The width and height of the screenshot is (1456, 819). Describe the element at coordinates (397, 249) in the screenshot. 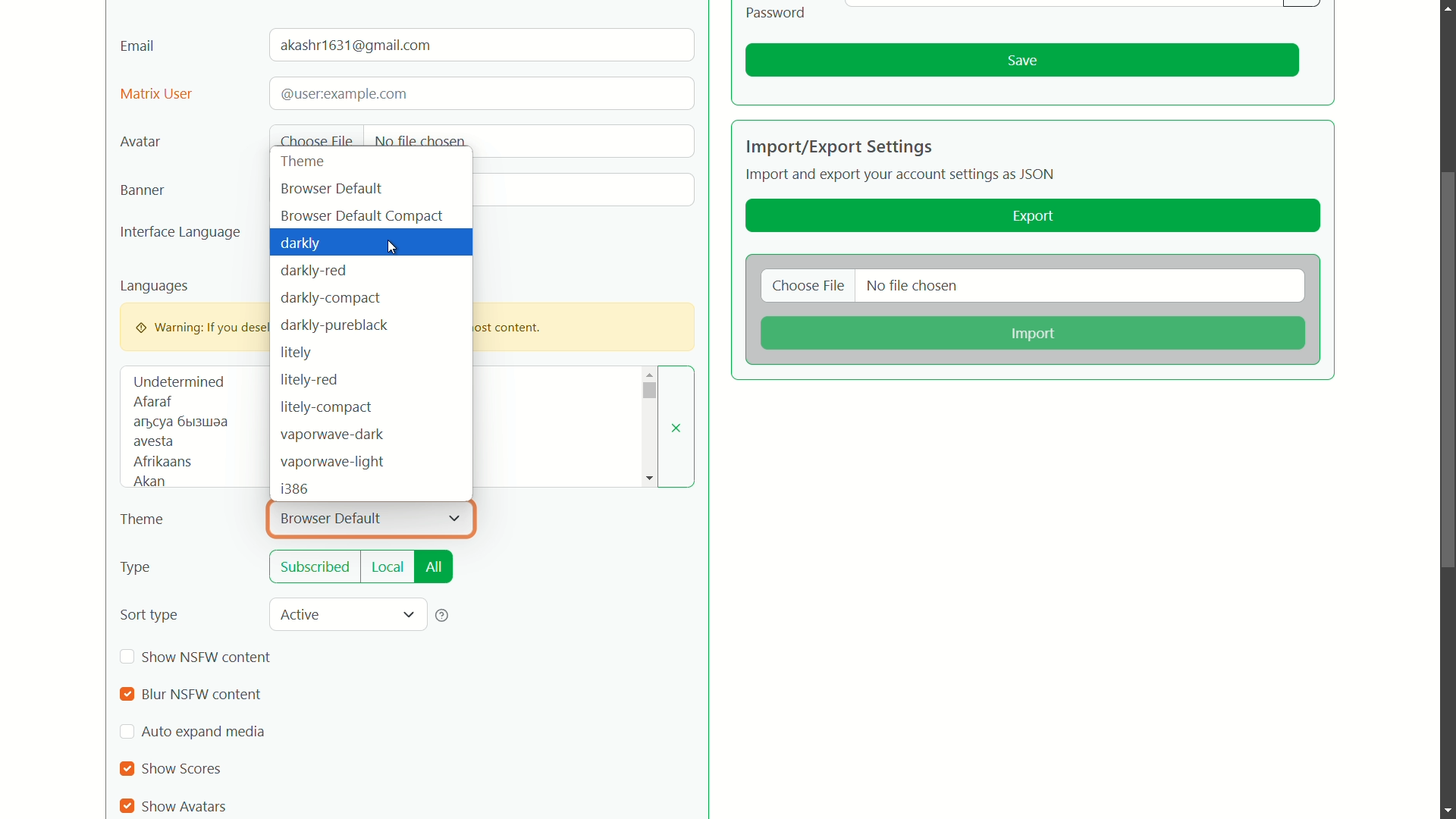

I see `cursor` at that location.